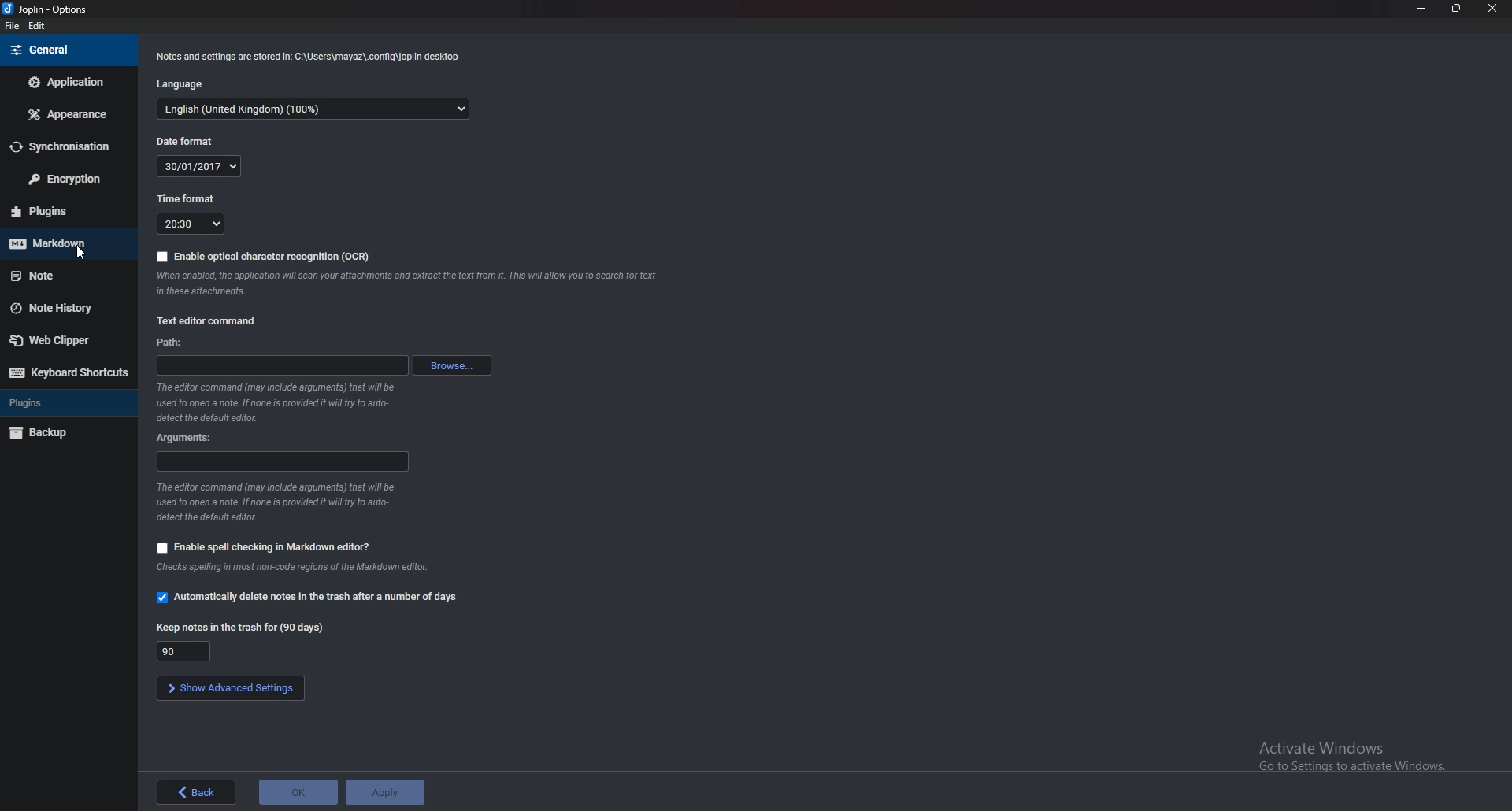 The height and width of the screenshot is (811, 1512). Describe the element at coordinates (65, 146) in the screenshot. I see `Synchronization` at that location.